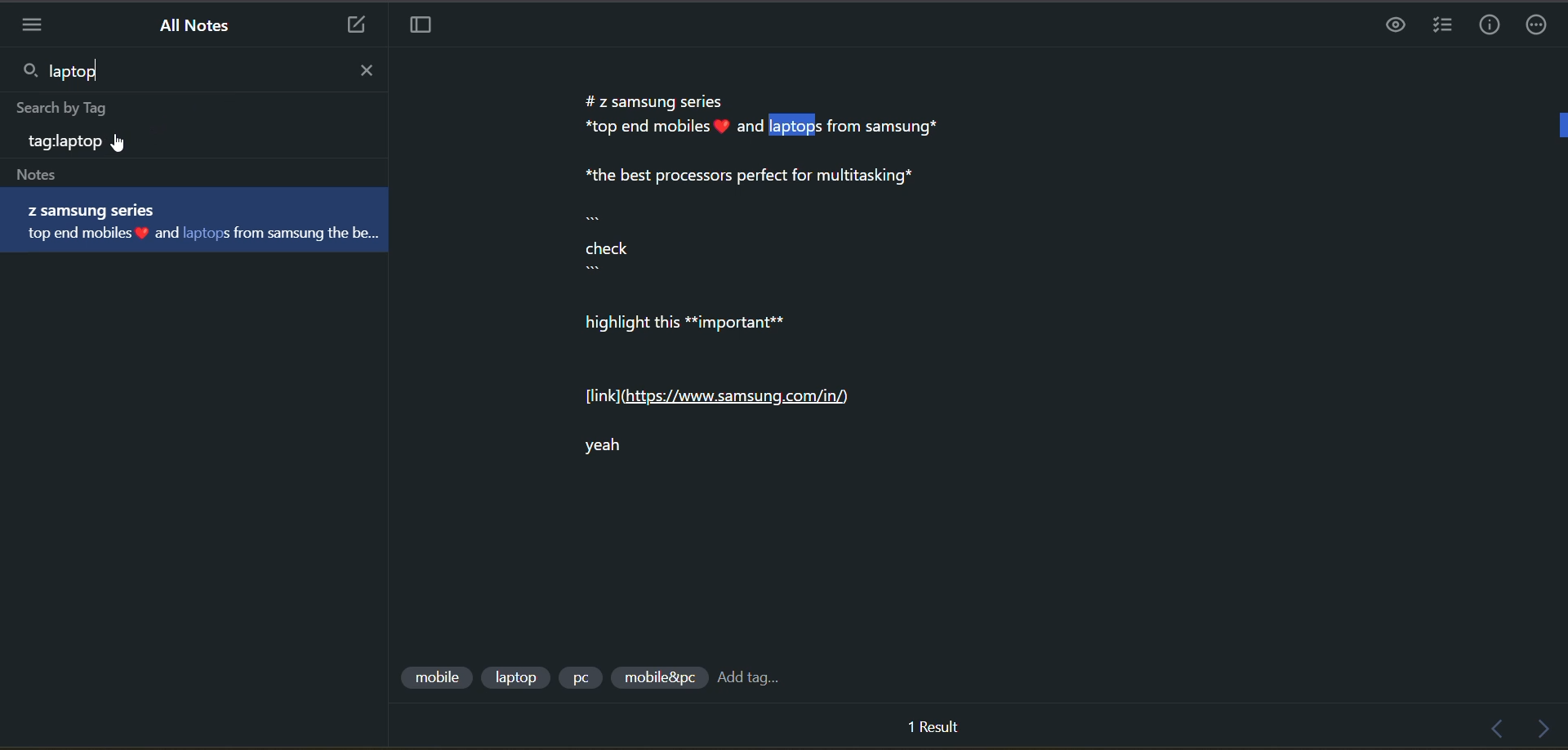 This screenshot has width=1568, height=750. What do you see at coordinates (197, 25) in the screenshot?
I see `all notes` at bounding box center [197, 25].